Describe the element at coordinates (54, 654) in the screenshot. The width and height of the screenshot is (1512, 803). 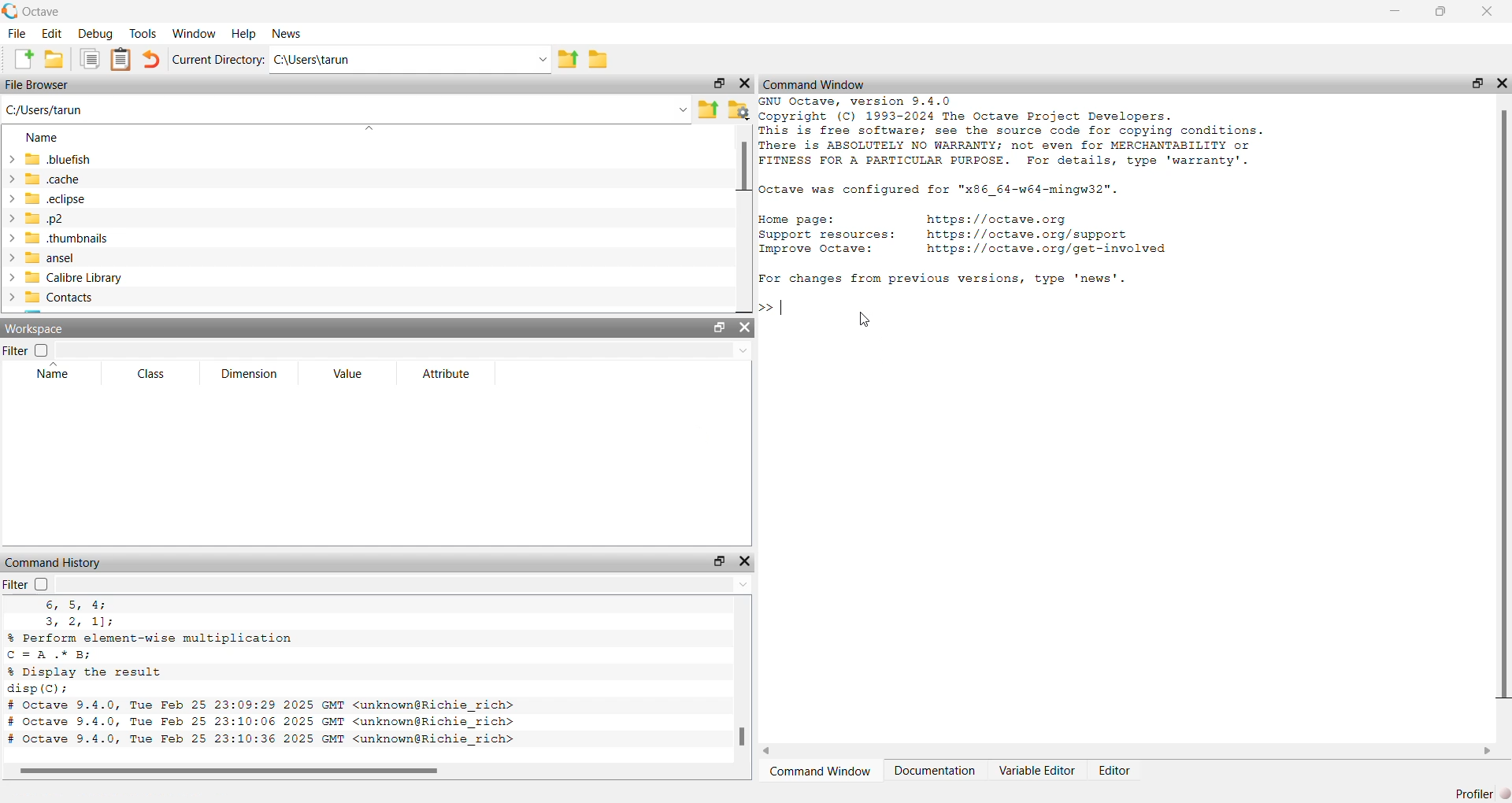
I see `C =A .* B;` at that location.